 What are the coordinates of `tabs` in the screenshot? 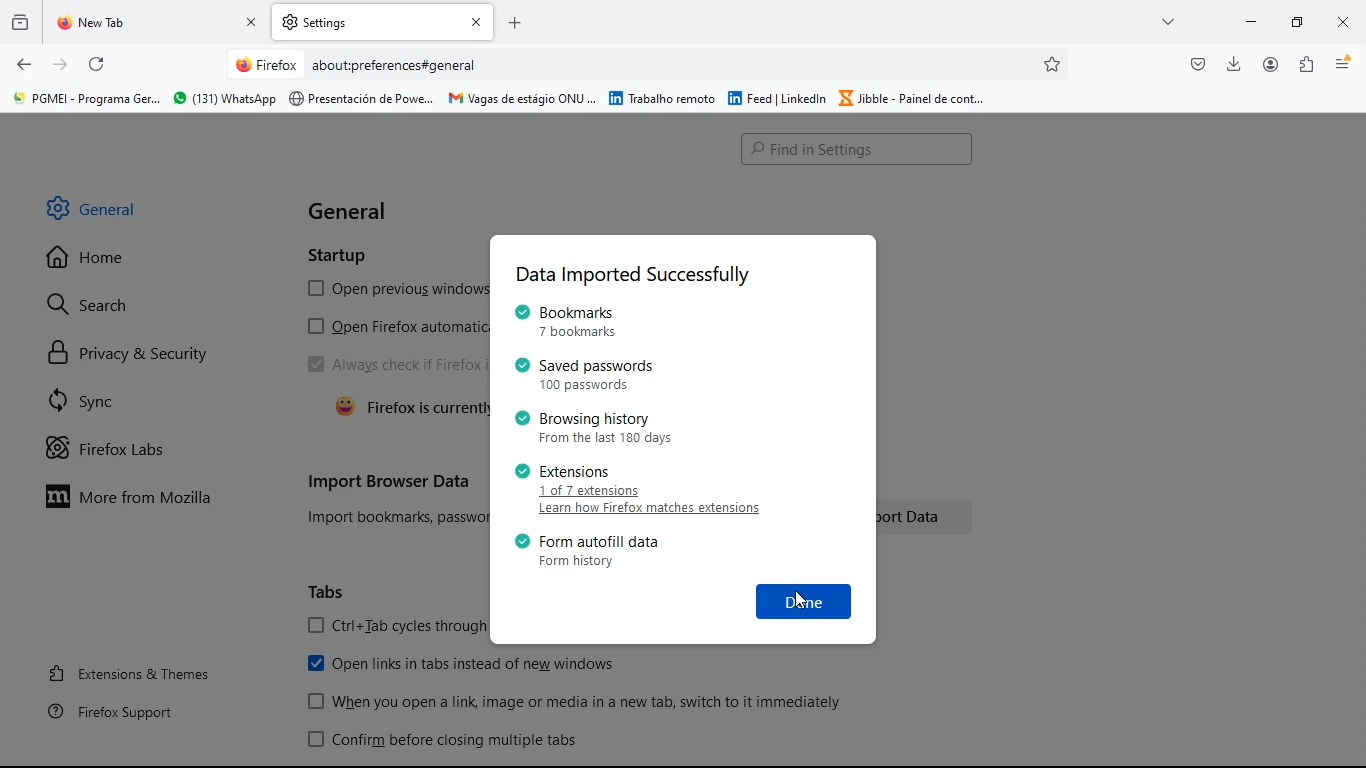 It's located at (331, 592).